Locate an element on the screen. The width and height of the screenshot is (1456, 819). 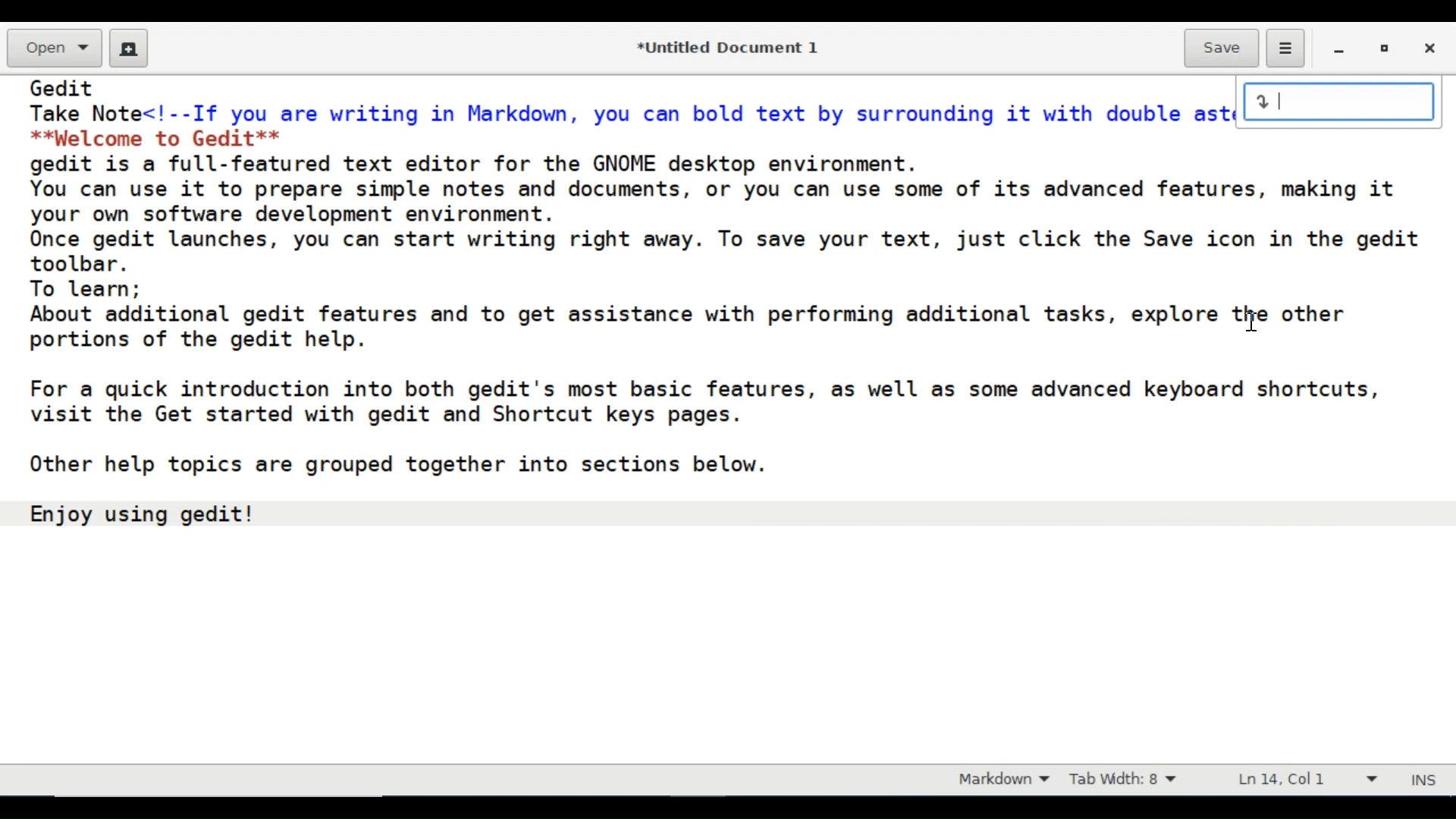
Take Note<!--If you are writing in Markdown, you can bold text by surrounding it with double asterisks:--> is located at coordinates (632, 111).